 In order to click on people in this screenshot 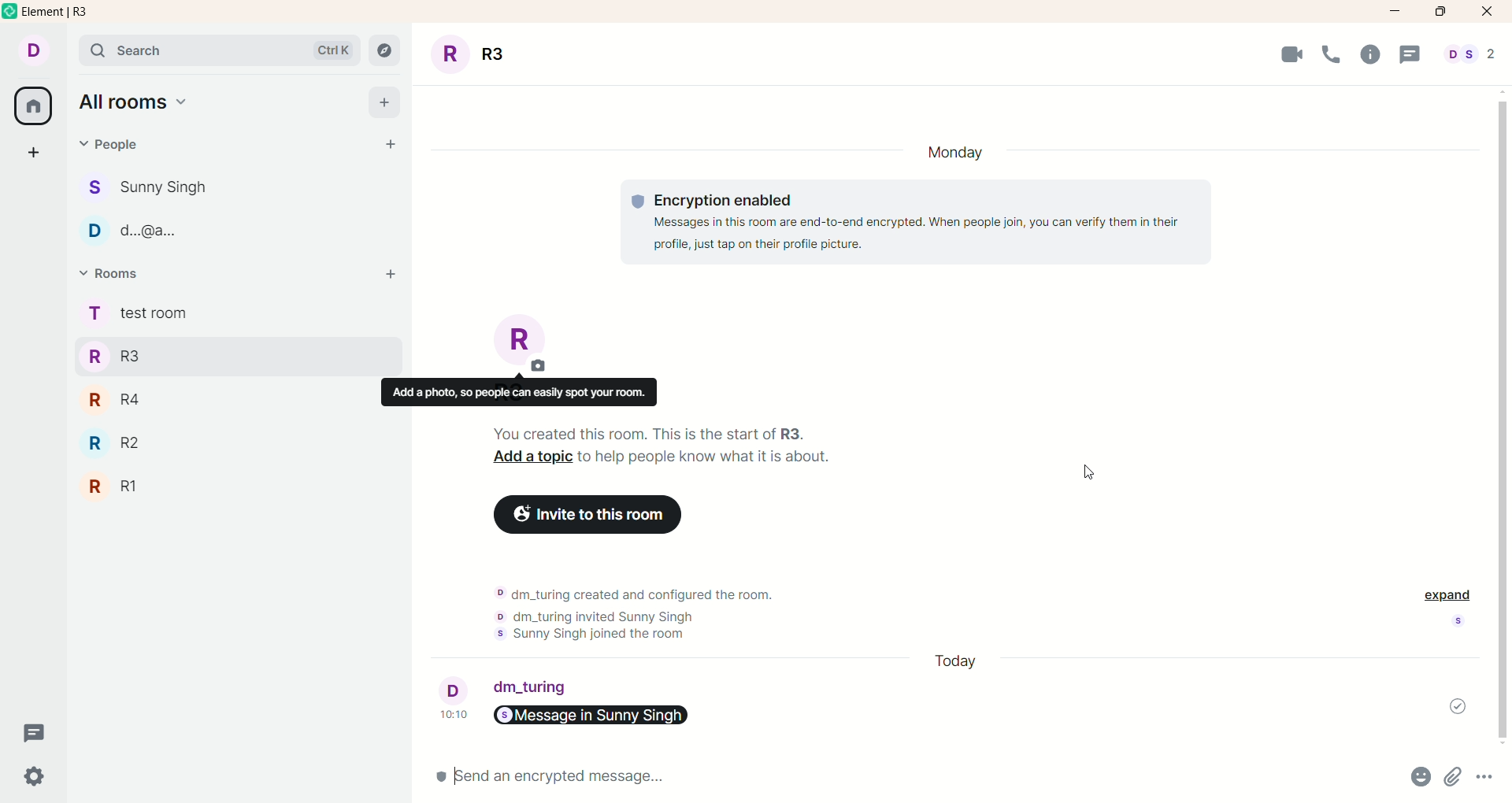, I will do `click(1473, 53)`.